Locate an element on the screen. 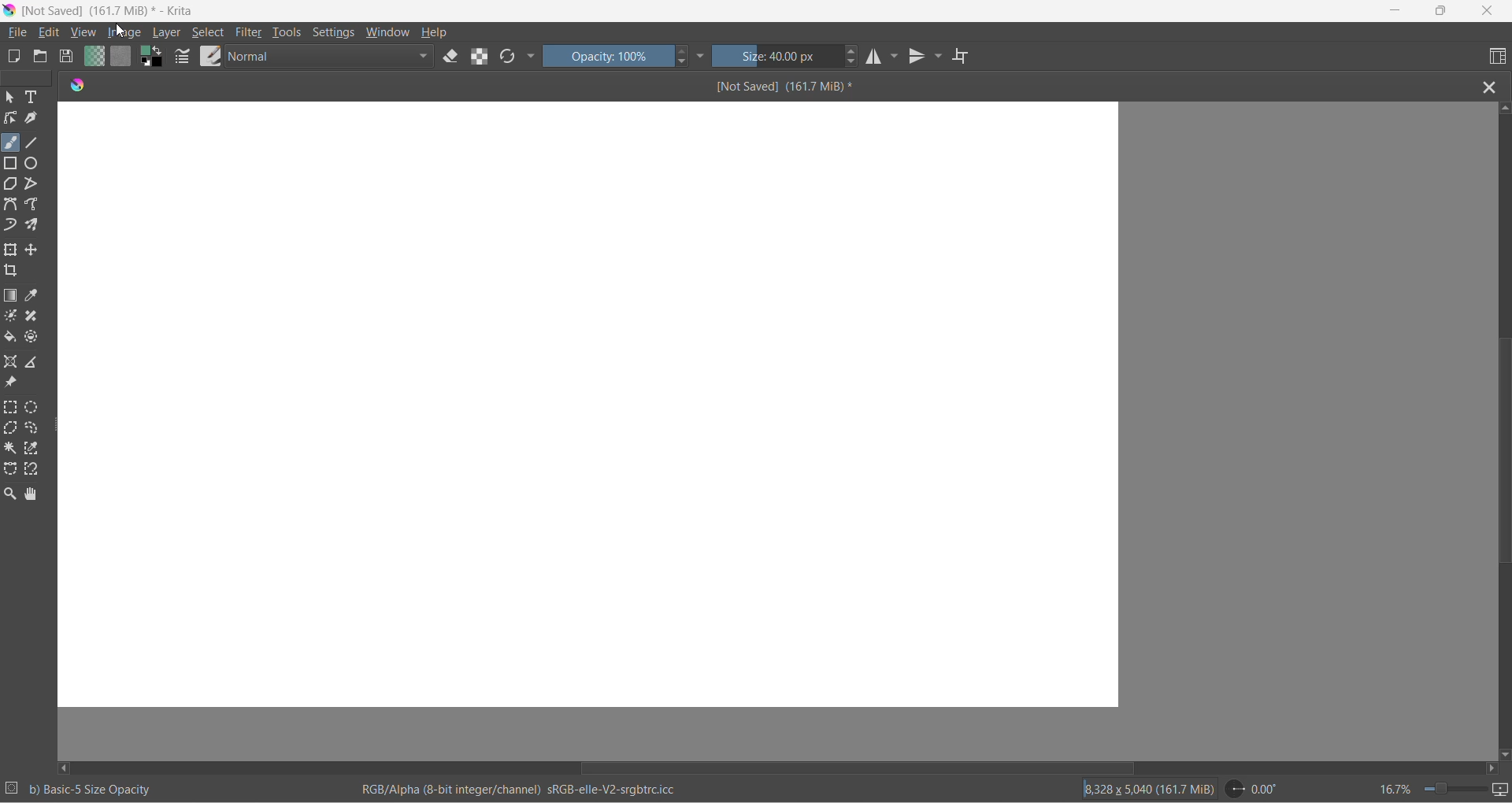 The height and width of the screenshot is (803, 1512). scroll up button is located at coordinates (1503, 107).